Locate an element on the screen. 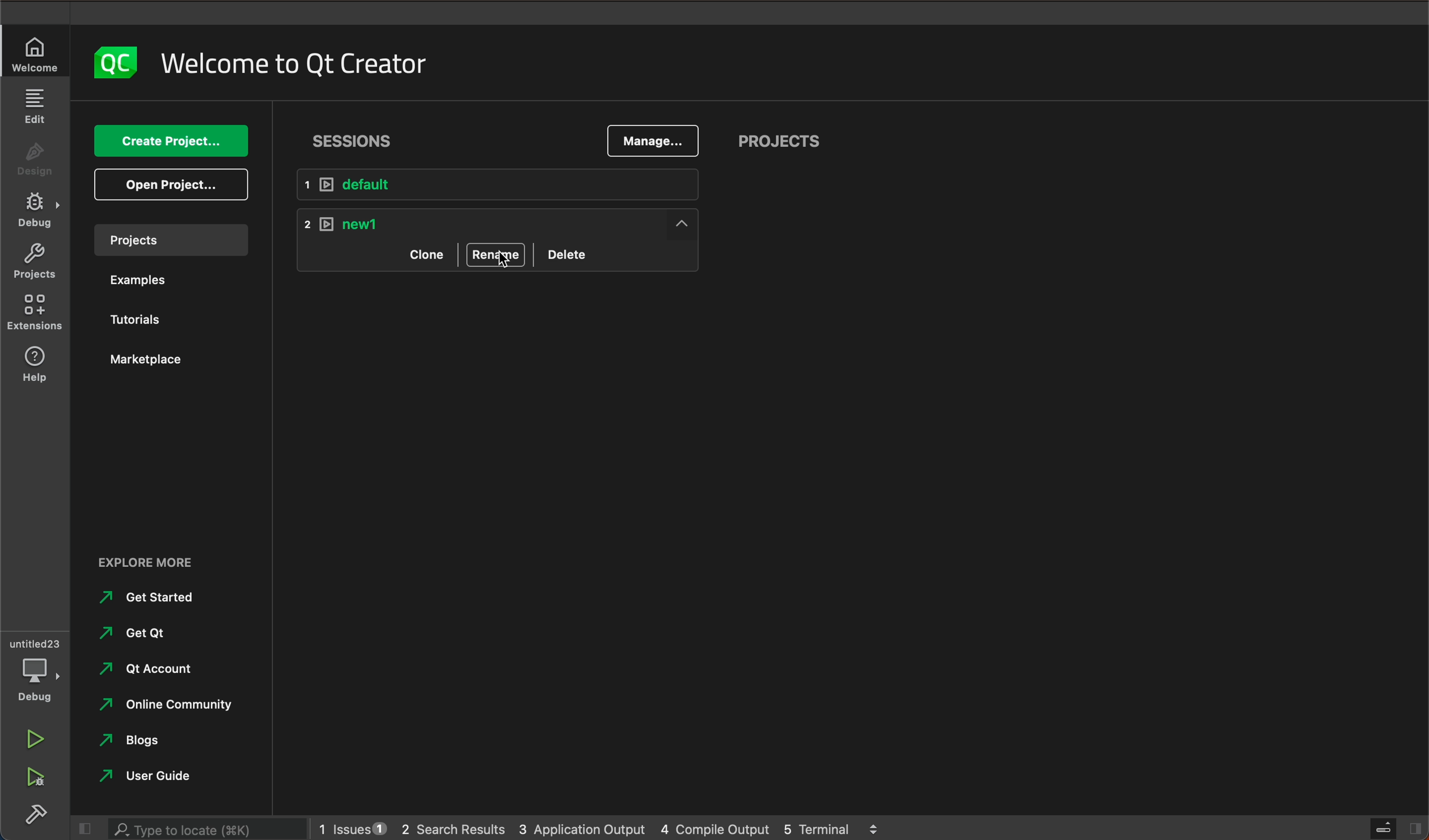 The image size is (1429, 840). logs is located at coordinates (597, 829).